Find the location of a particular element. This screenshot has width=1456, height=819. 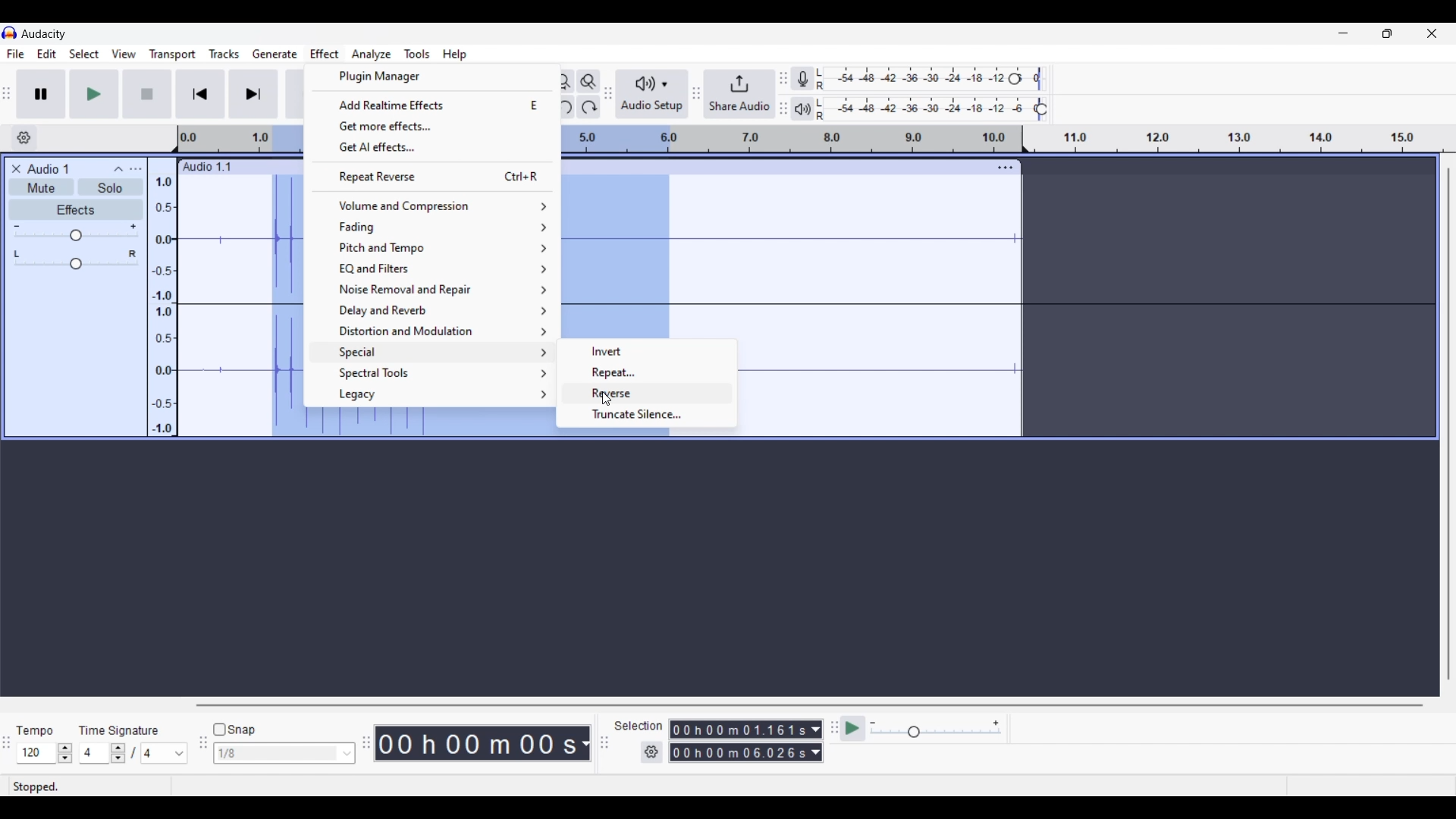

Portion of recorded audio track selected is located at coordinates (614, 259).